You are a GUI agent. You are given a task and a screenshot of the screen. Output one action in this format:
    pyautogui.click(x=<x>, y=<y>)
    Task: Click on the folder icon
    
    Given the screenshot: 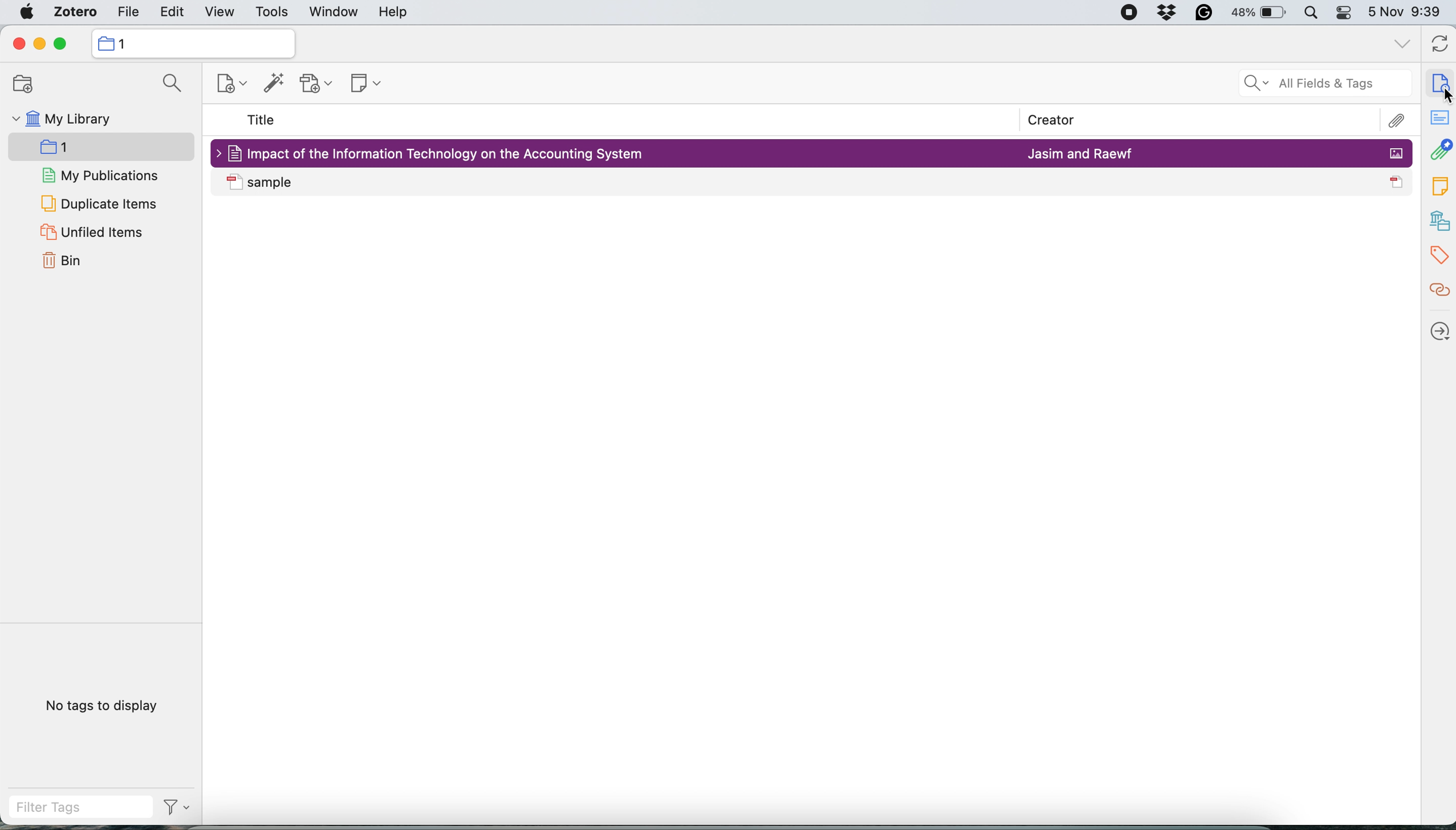 What is the action you would take?
    pyautogui.click(x=105, y=43)
    